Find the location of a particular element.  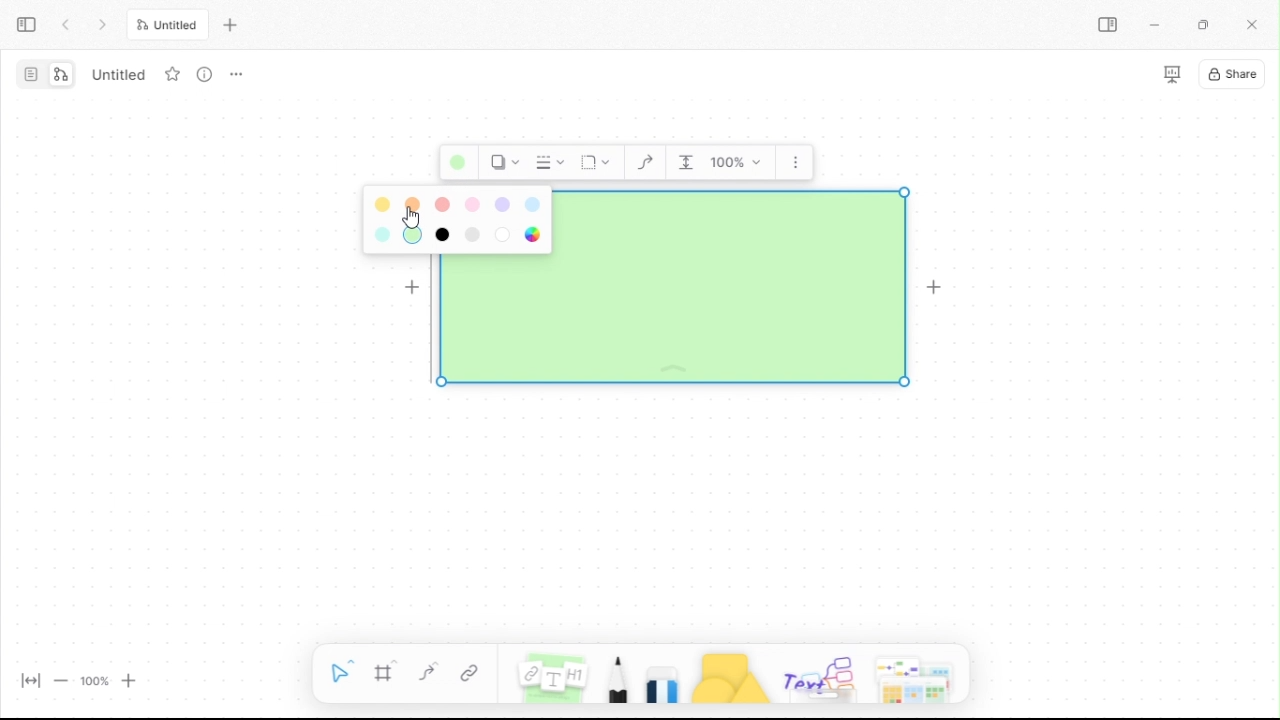

Zoom is located at coordinates (738, 163).